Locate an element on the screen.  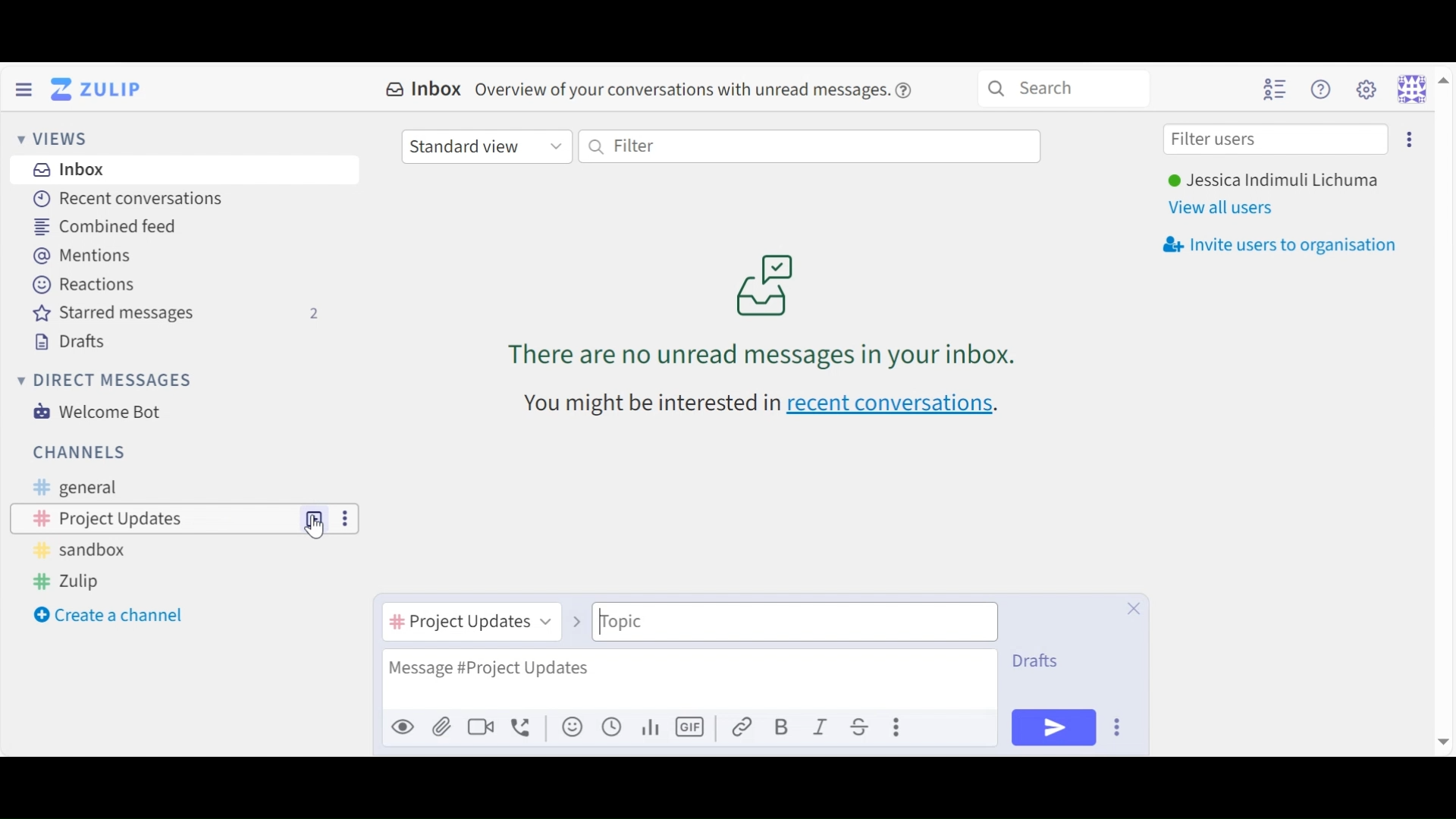
Drafts is located at coordinates (1040, 661).